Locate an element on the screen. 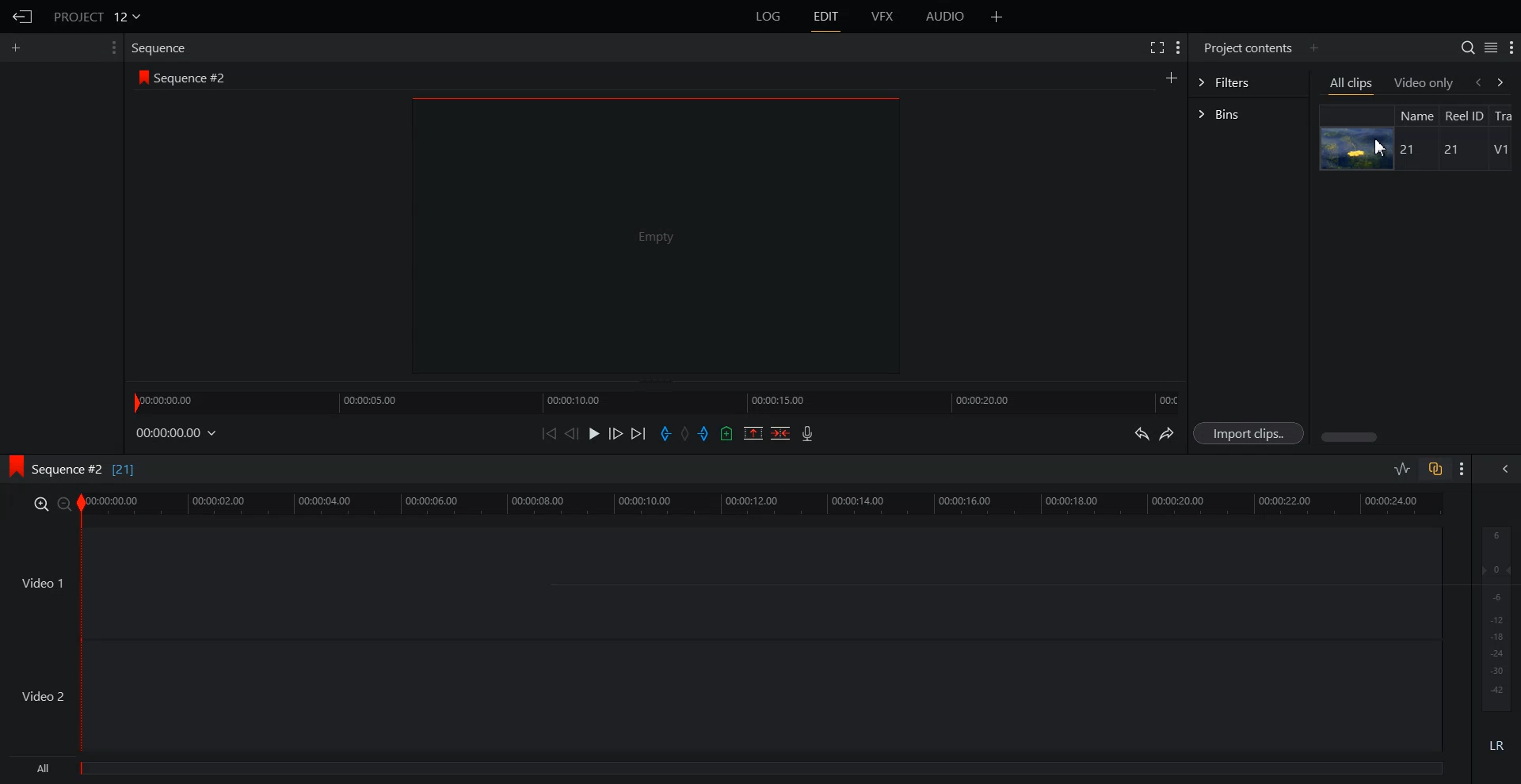 This screenshot has height=784, width=1521. Add an Cue at the current position is located at coordinates (726, 433).